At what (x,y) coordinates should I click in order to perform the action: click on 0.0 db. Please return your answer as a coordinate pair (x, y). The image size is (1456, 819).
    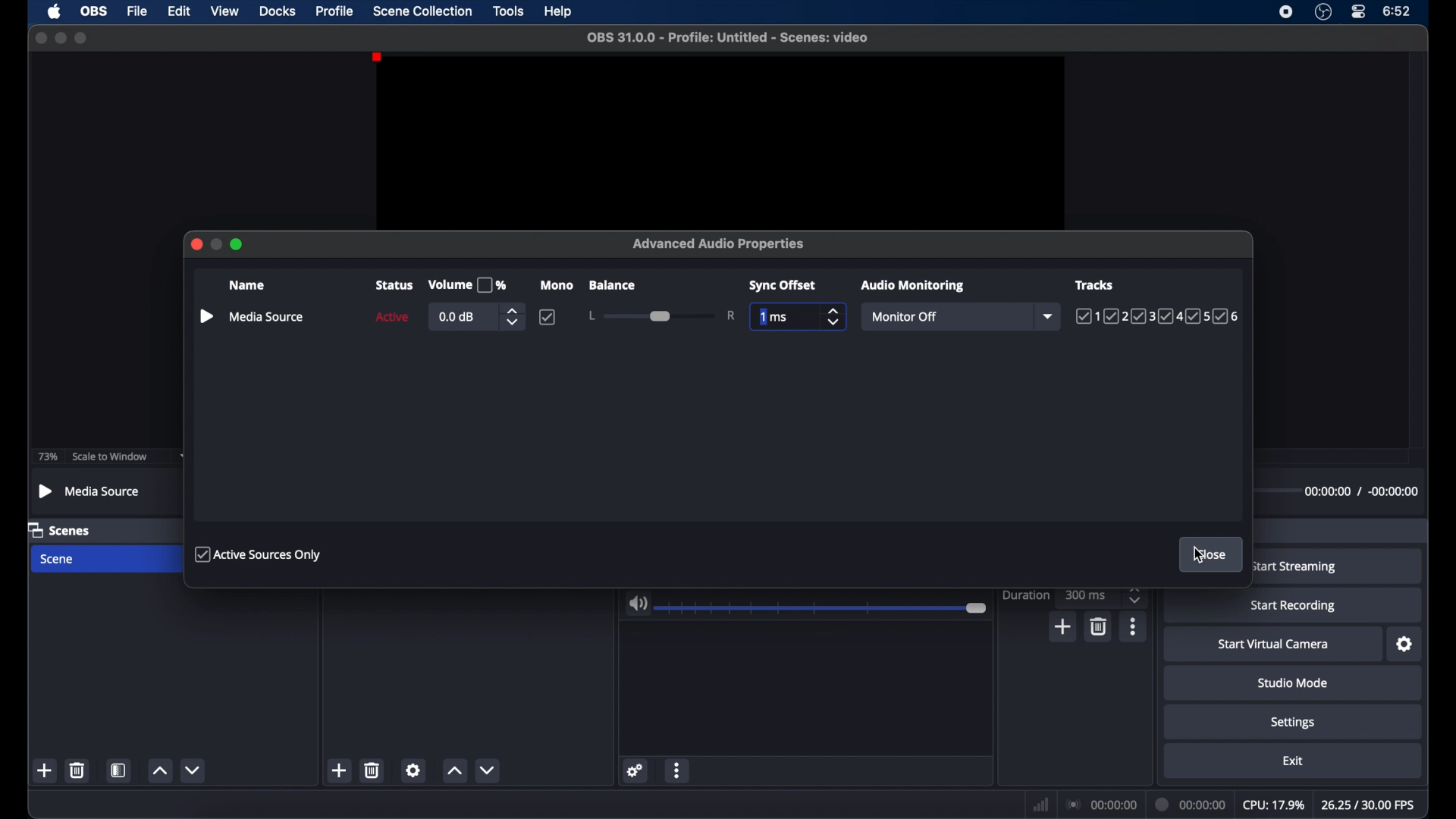
    Looking at the image, I should click on (458, 317).